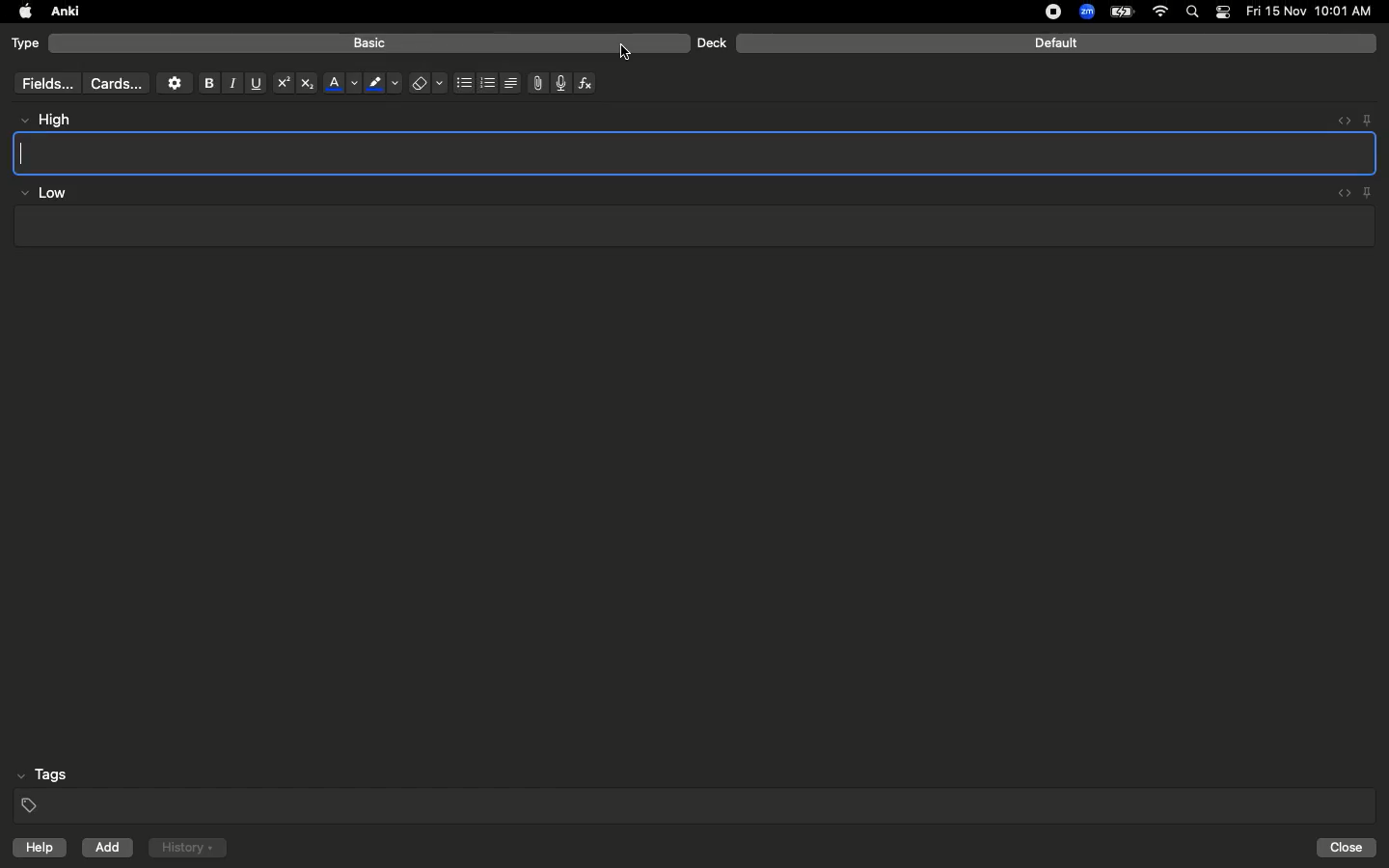  Describe the element at coordinates (383, 85) in the screenshot. I see `Marker` at that location.